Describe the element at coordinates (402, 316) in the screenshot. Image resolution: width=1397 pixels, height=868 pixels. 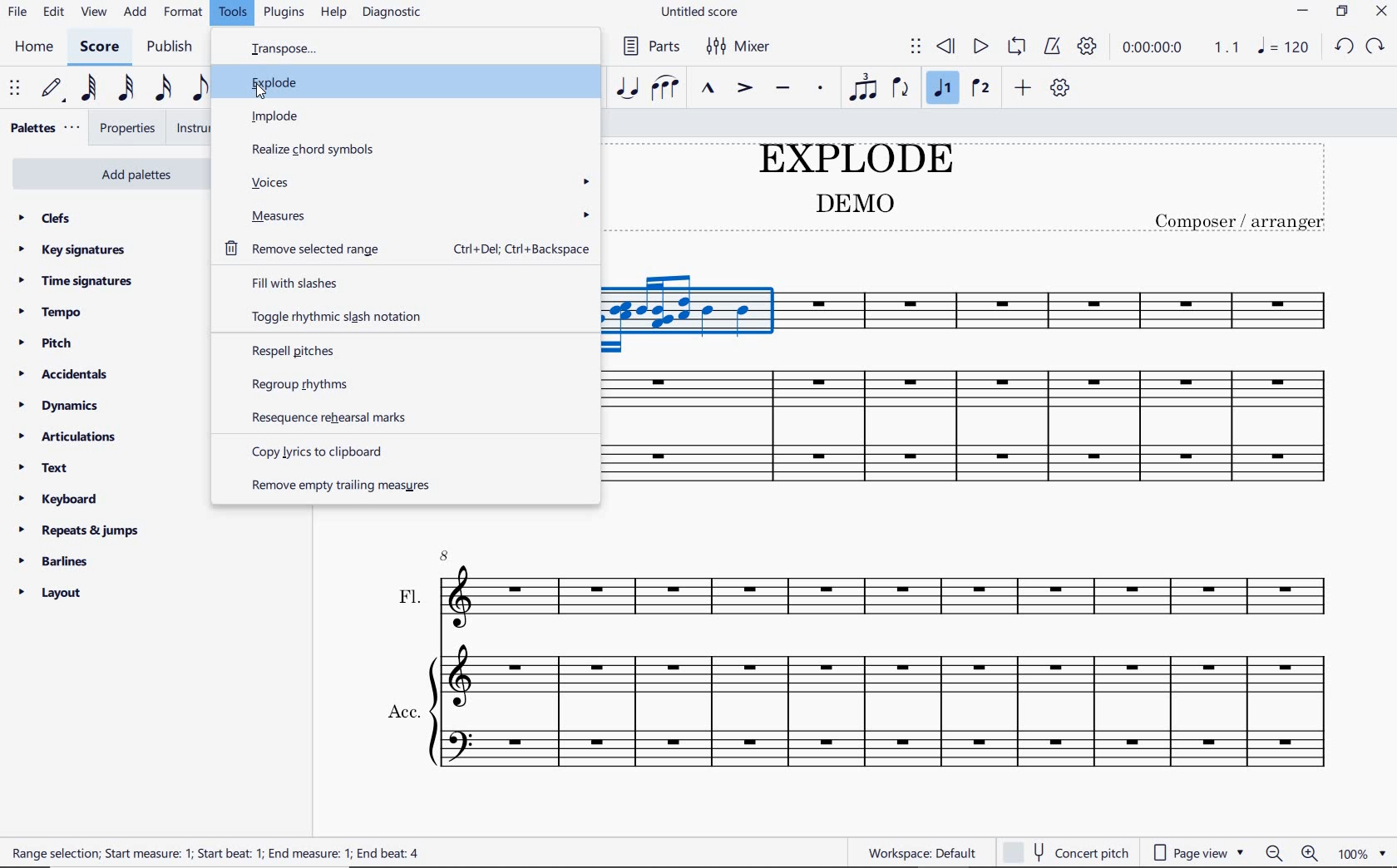
I see `toggle rhythmic slash notation` at that location.